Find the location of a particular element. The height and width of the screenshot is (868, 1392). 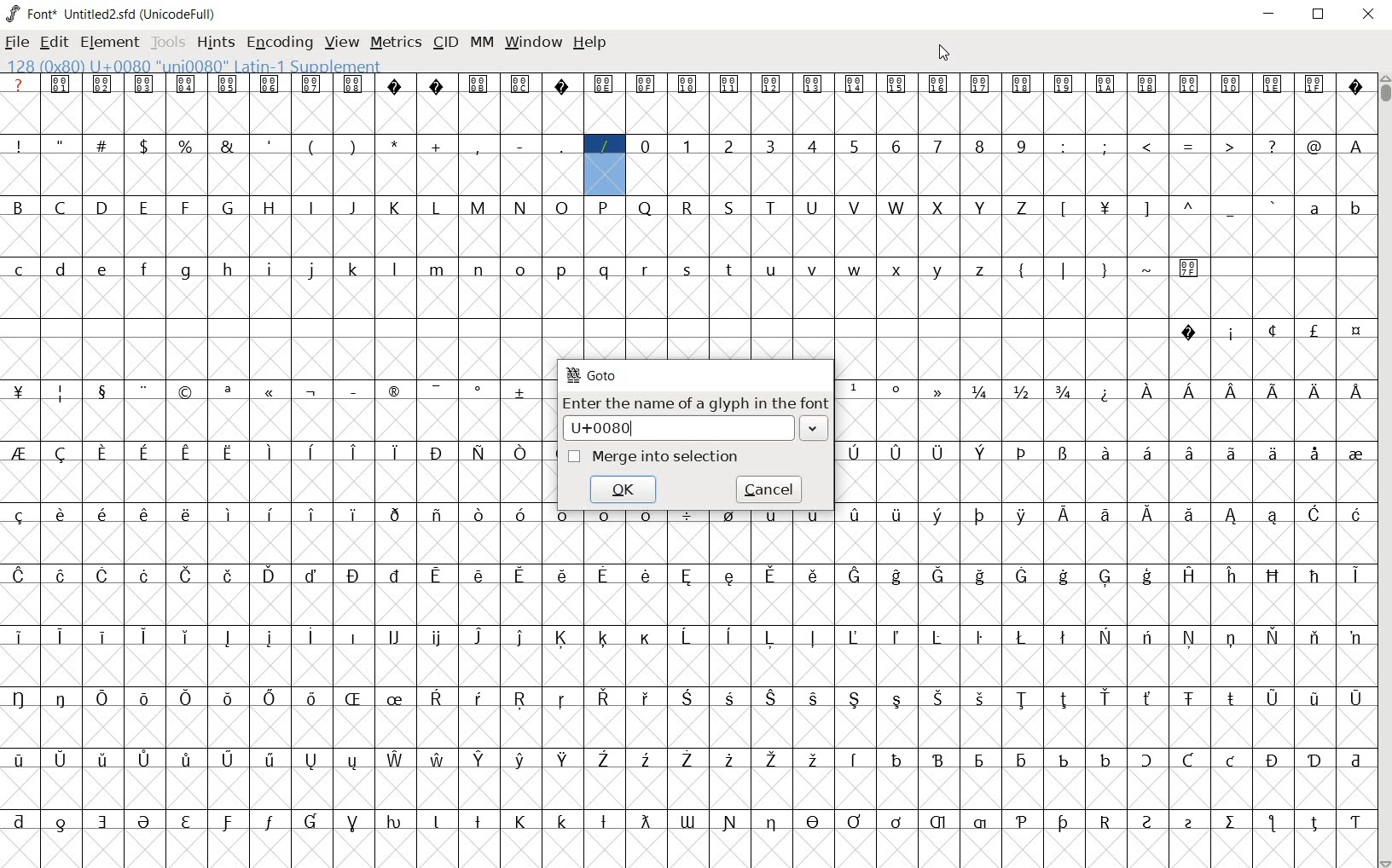

glyph is located at coordinates (519, 269).